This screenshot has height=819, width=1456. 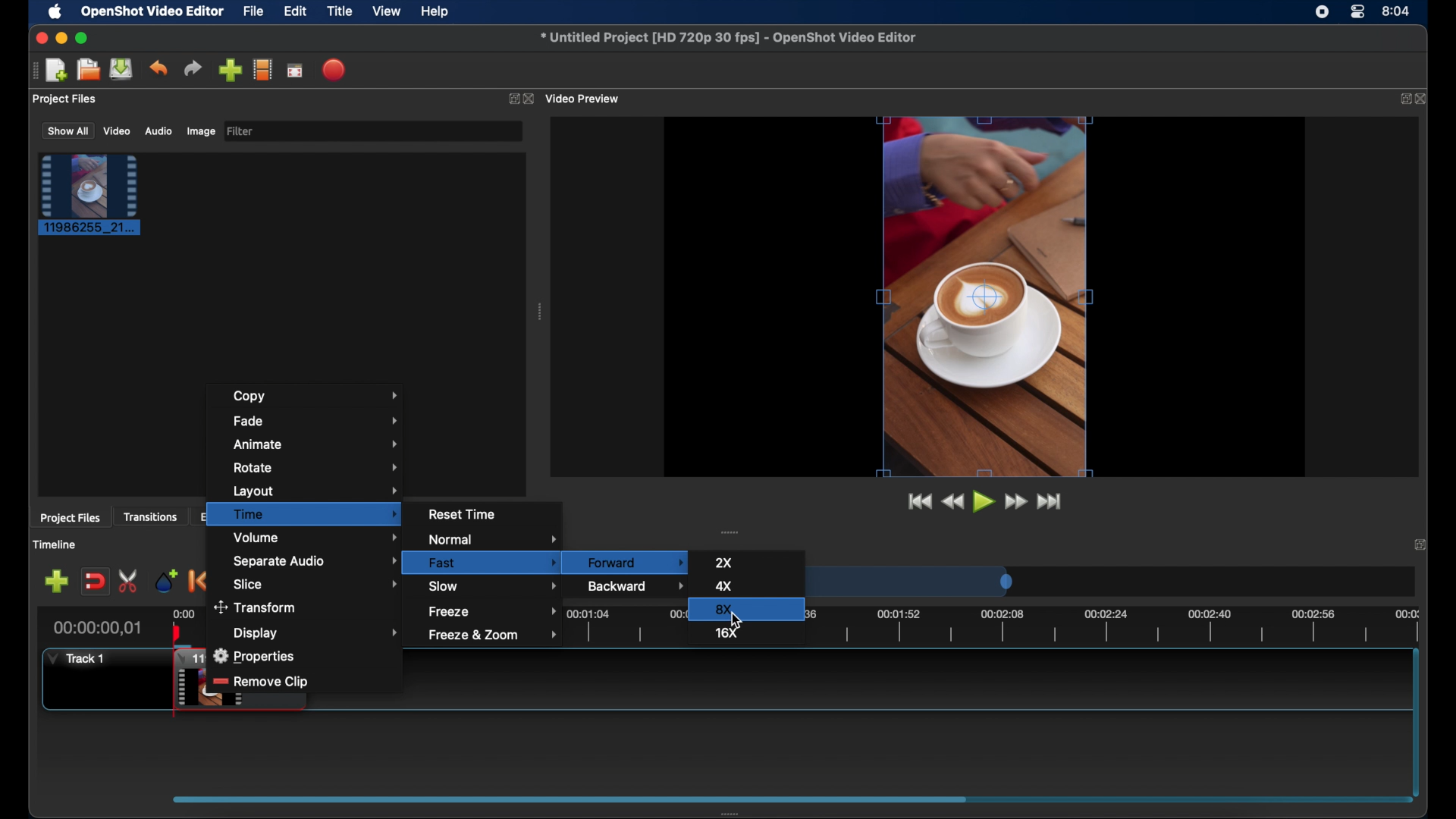 I want to click on show all, so click(x=67, y=131).